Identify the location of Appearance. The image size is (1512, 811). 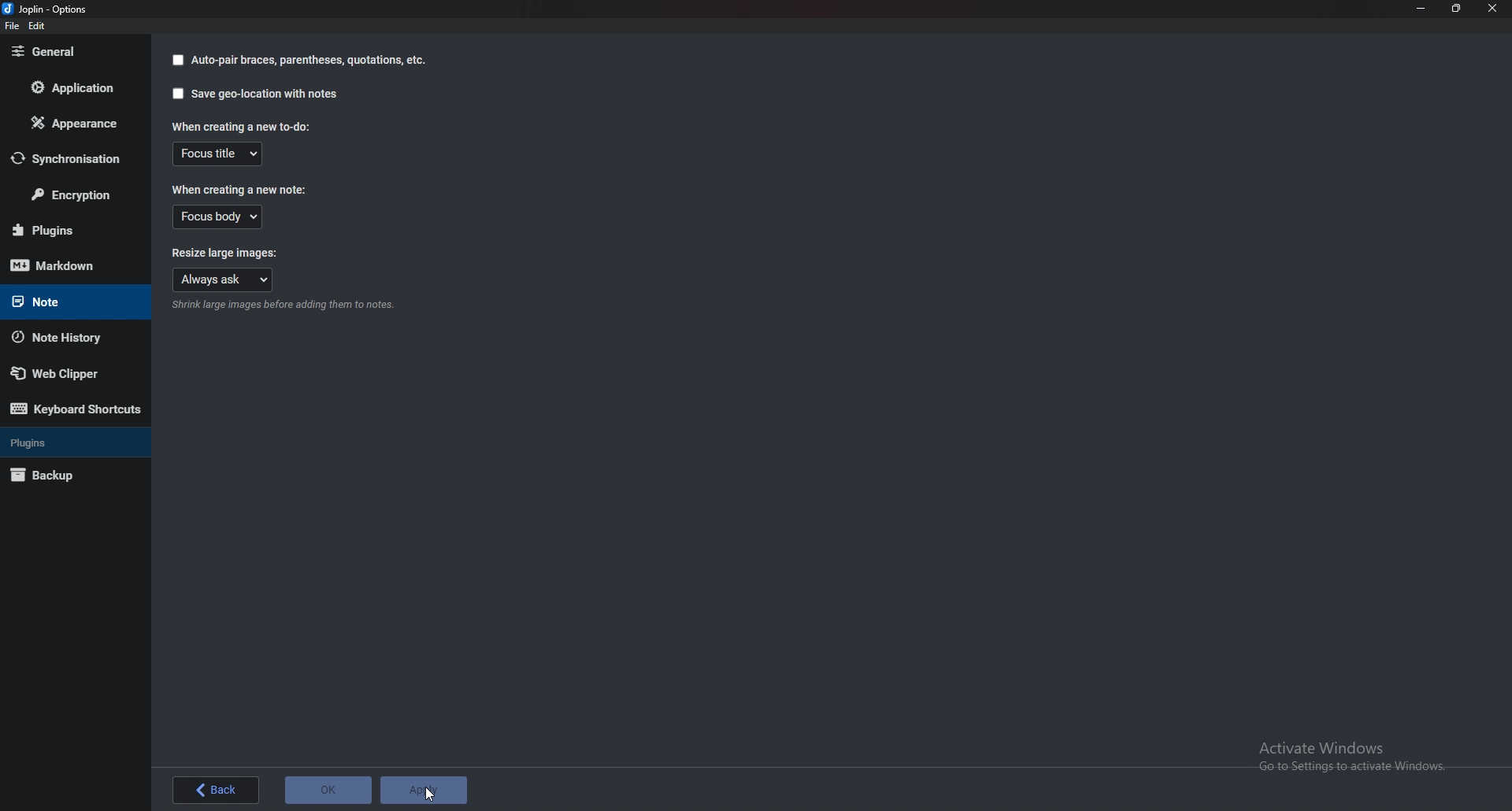
(75, 122).